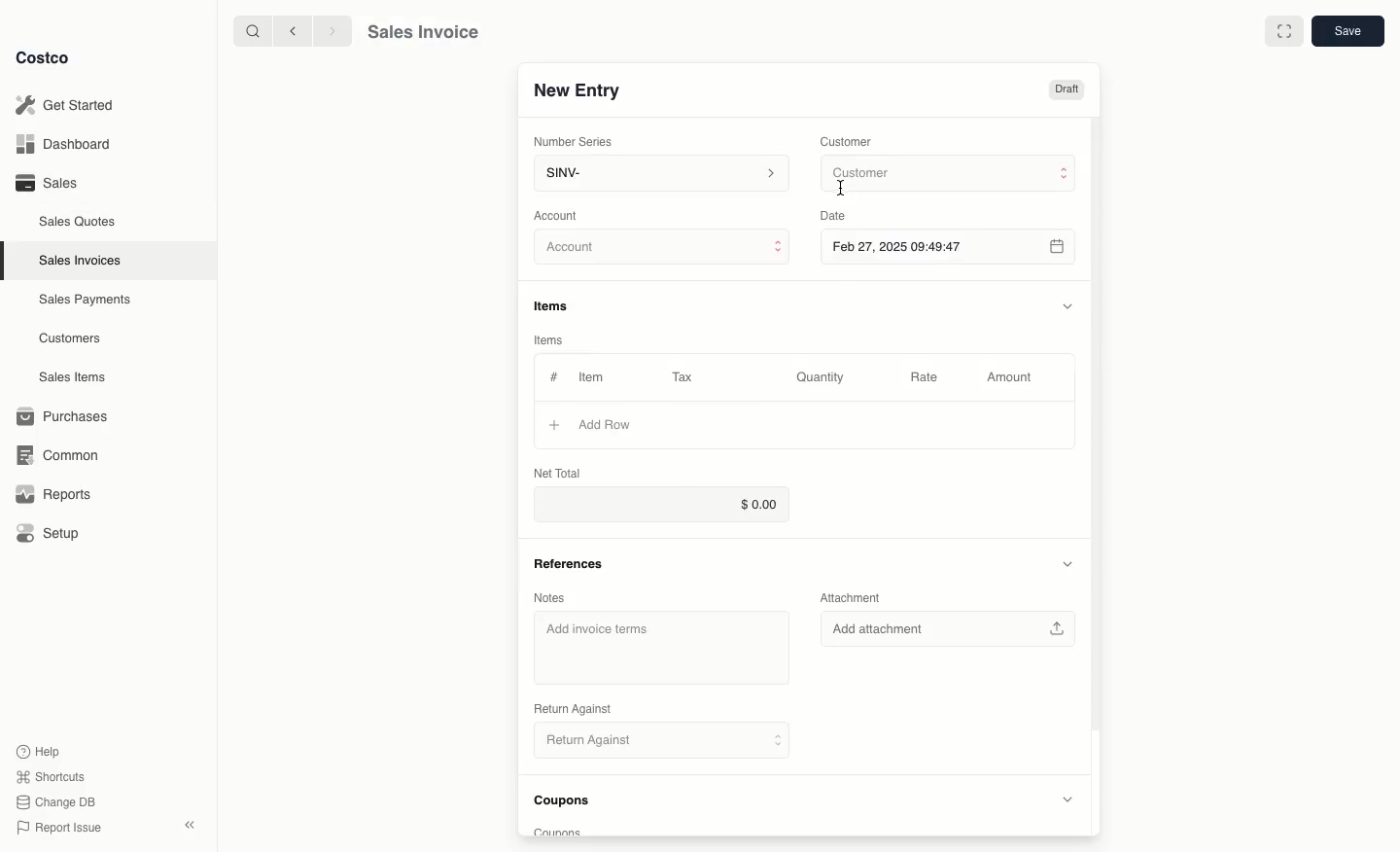 This screenshot has height=852, width=1400. Describe the element at coordinates (330, 30) in the screenshot. I see `forward` at that location.